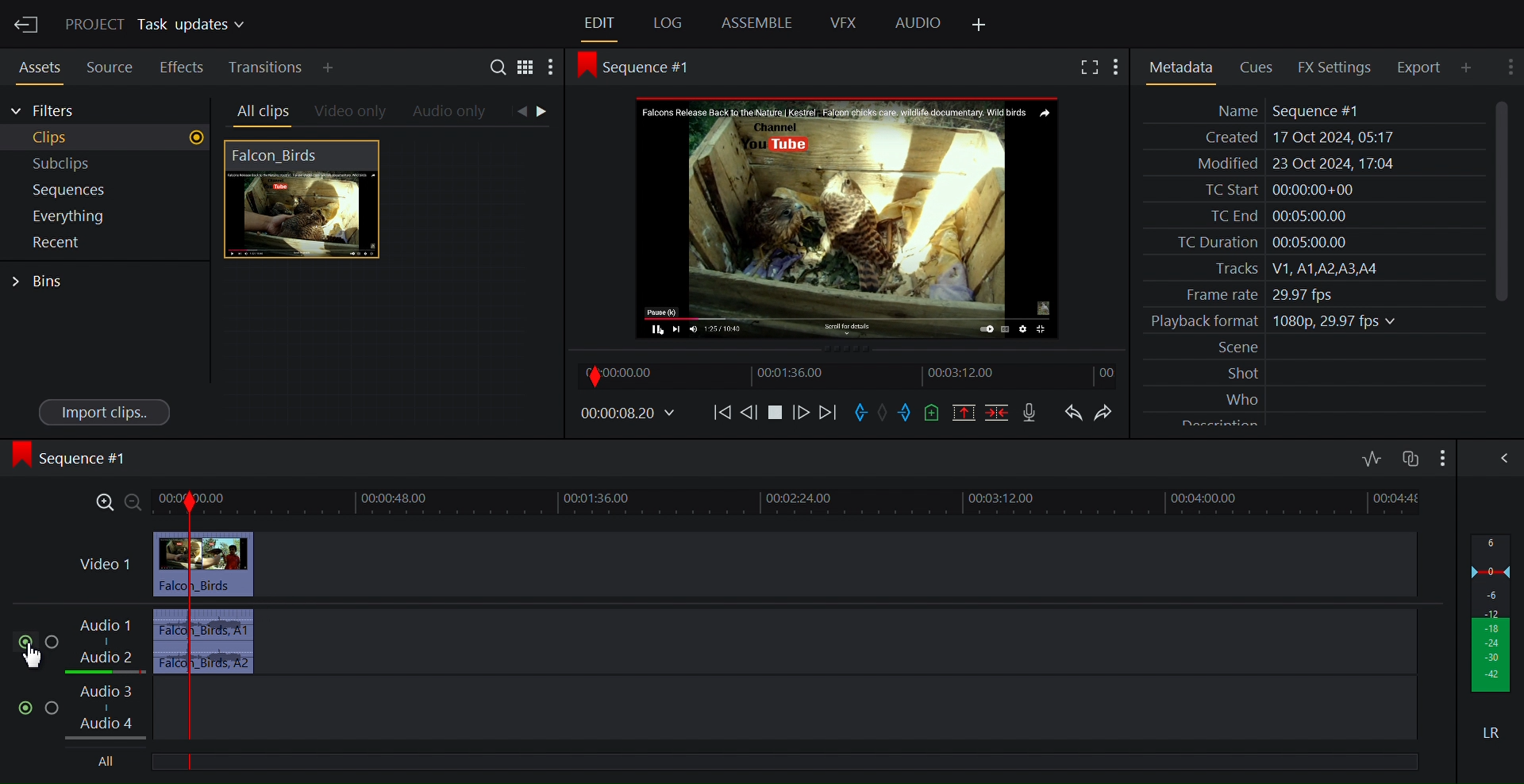 The height and width of the screenshot is (784, 1524). I want to click on Show/Change project details, so click(159, 25).